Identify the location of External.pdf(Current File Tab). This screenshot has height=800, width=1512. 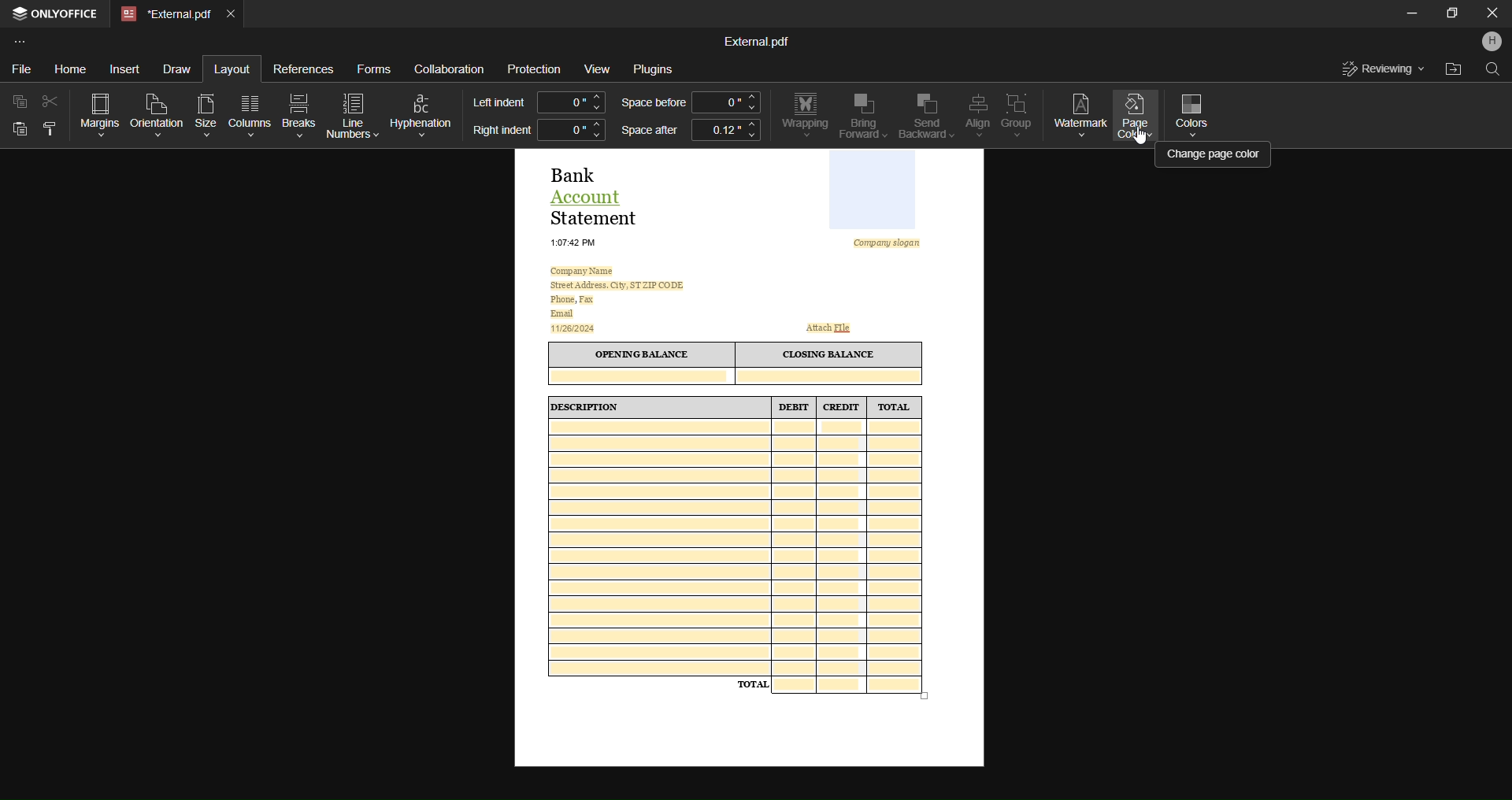
(166, 15).